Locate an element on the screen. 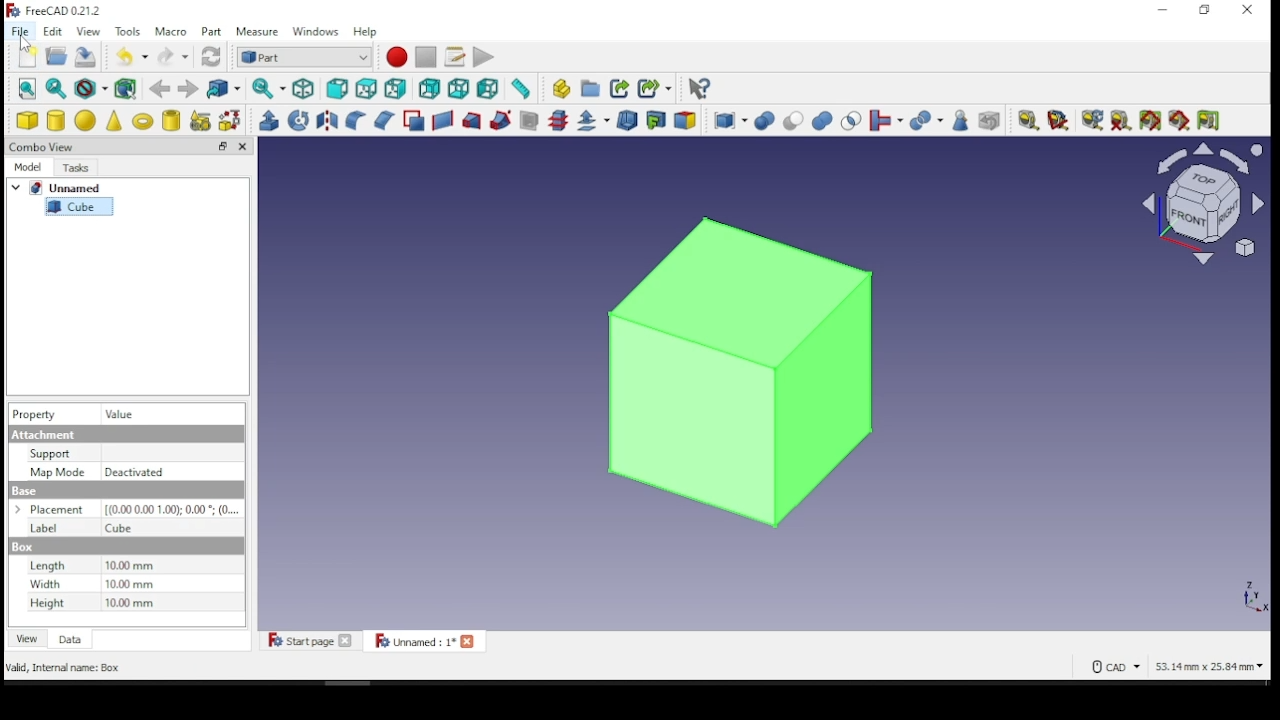 The height and width of the screenshot is (720, 1280). CAD 53.14 mm x 25.84 mm is located at coordinates (1179, 666).